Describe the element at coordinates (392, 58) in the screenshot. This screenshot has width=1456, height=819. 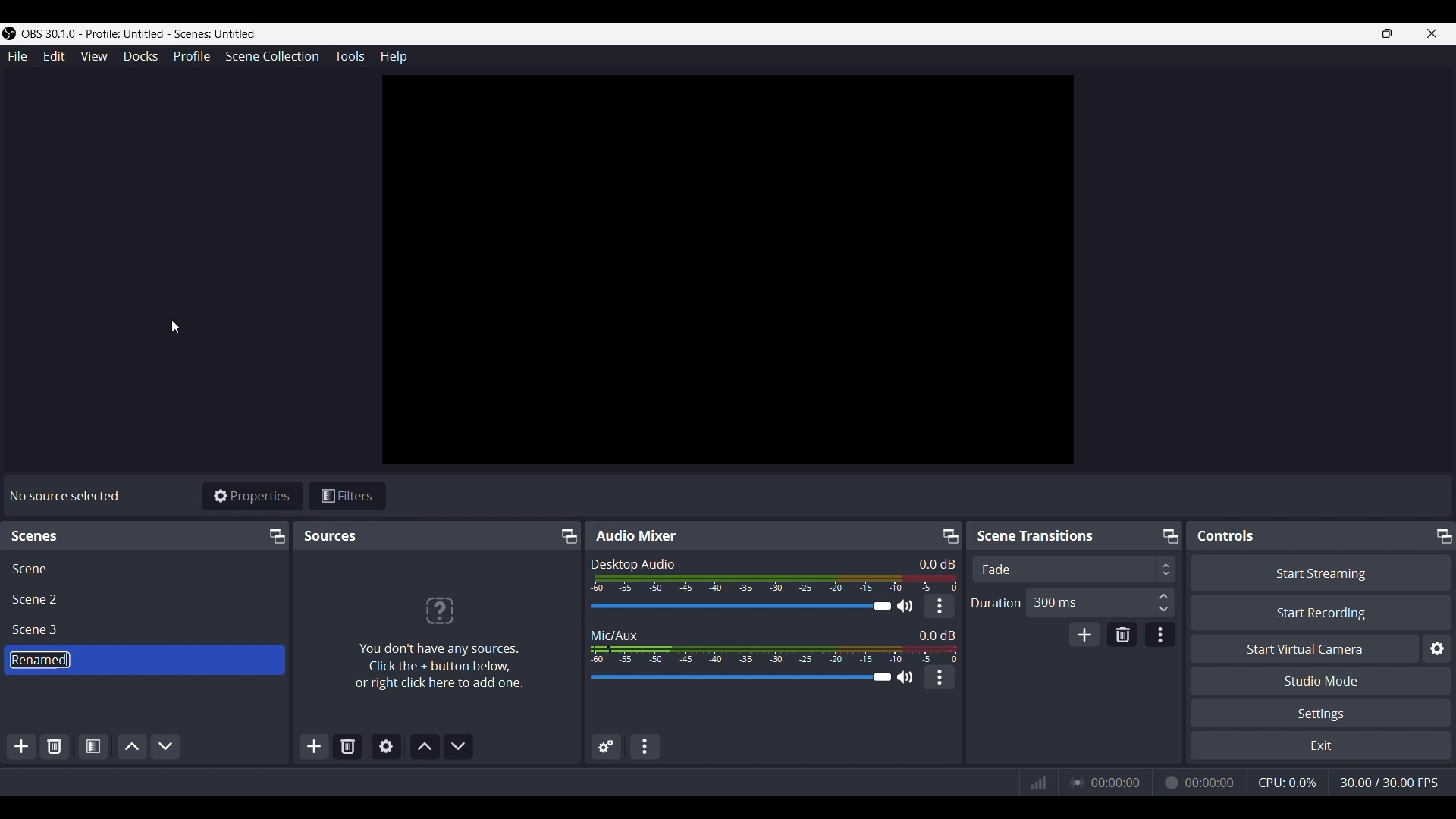
I see `Help` at that location.